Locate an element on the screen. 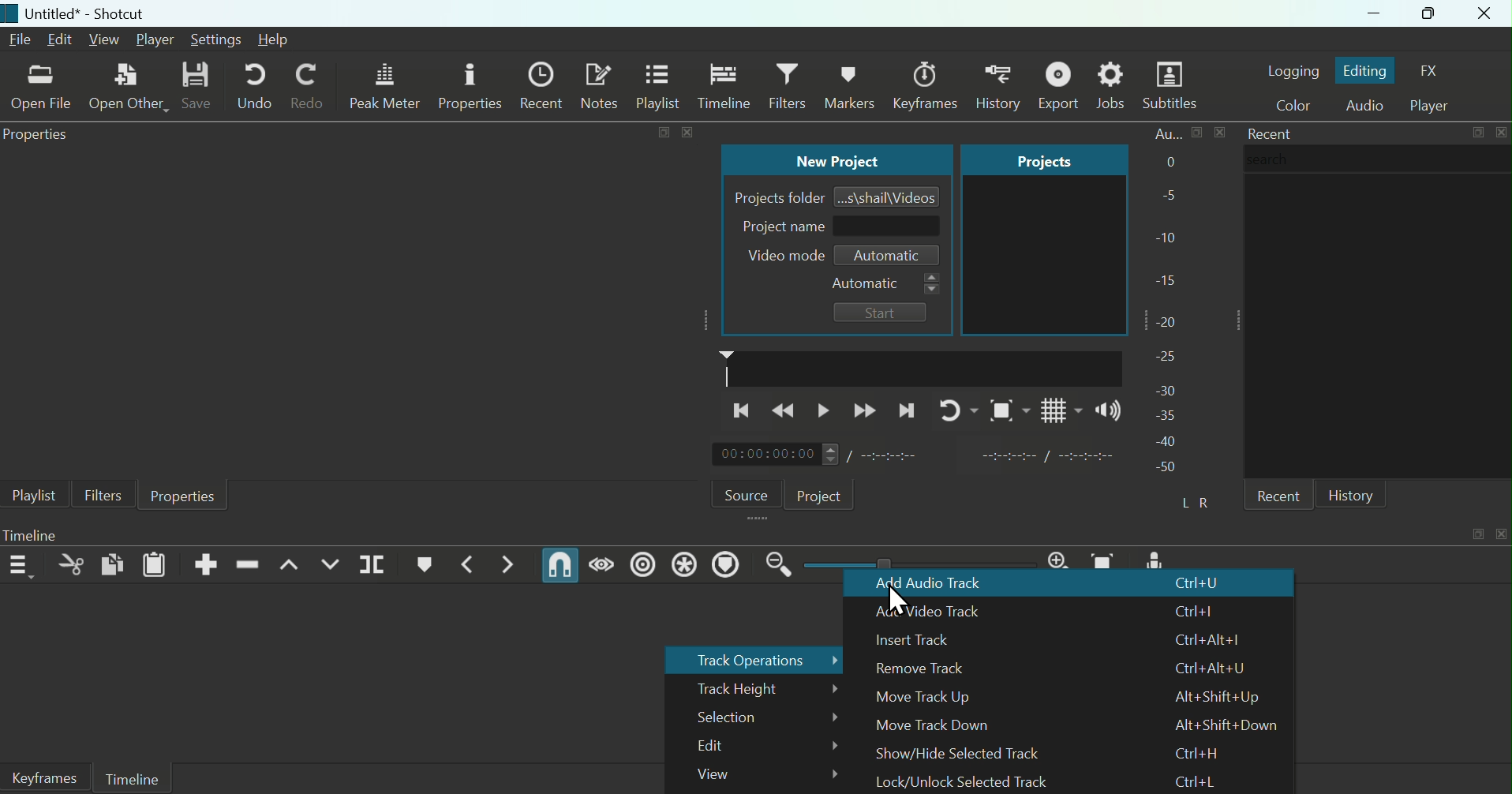 This screenshot has width=1512, height=794. Ctrl+Alt+U is located at coordinates (1211, 668).